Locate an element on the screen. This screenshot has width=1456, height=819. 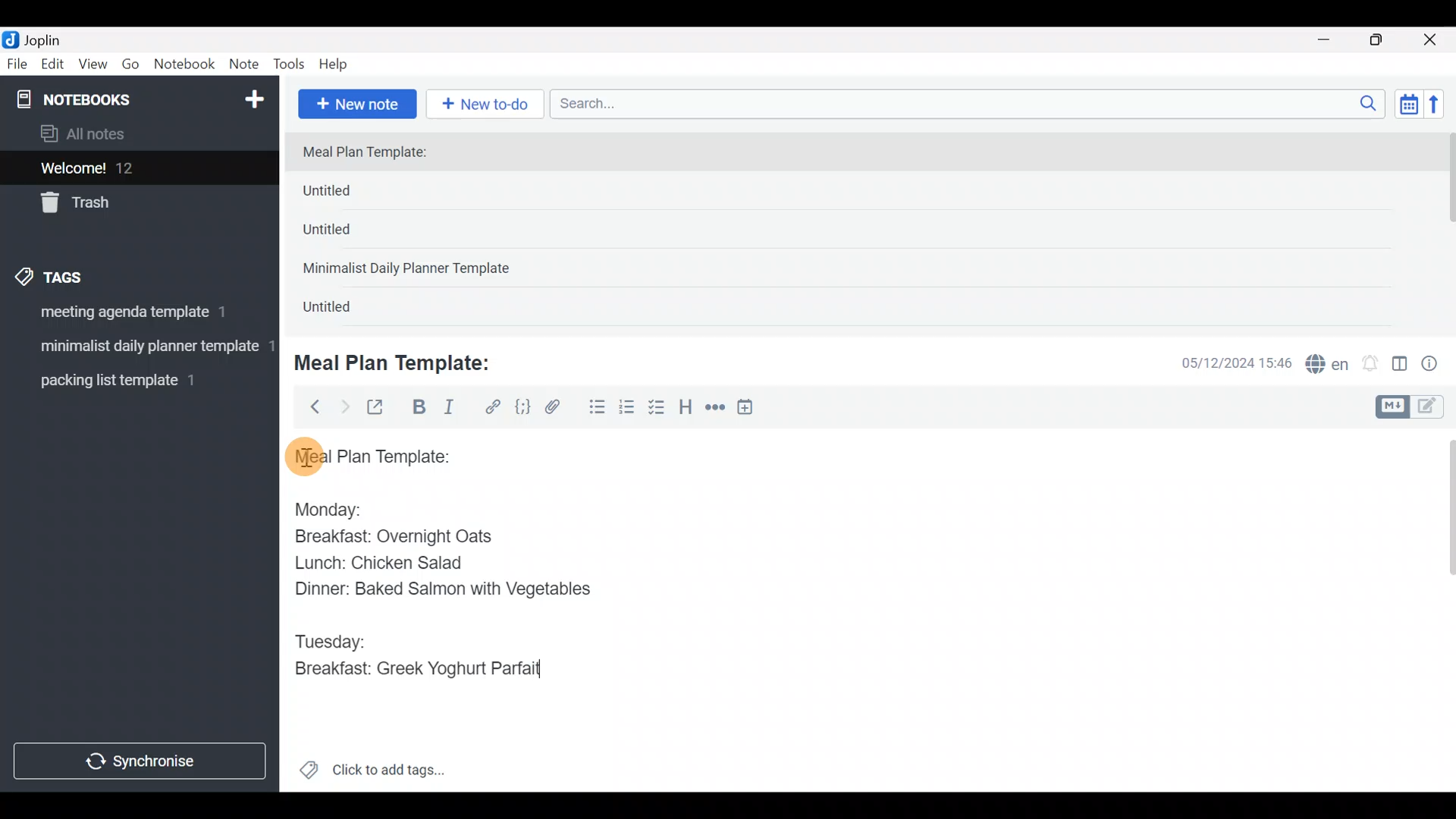
Note is located at coordinates (247, 65).